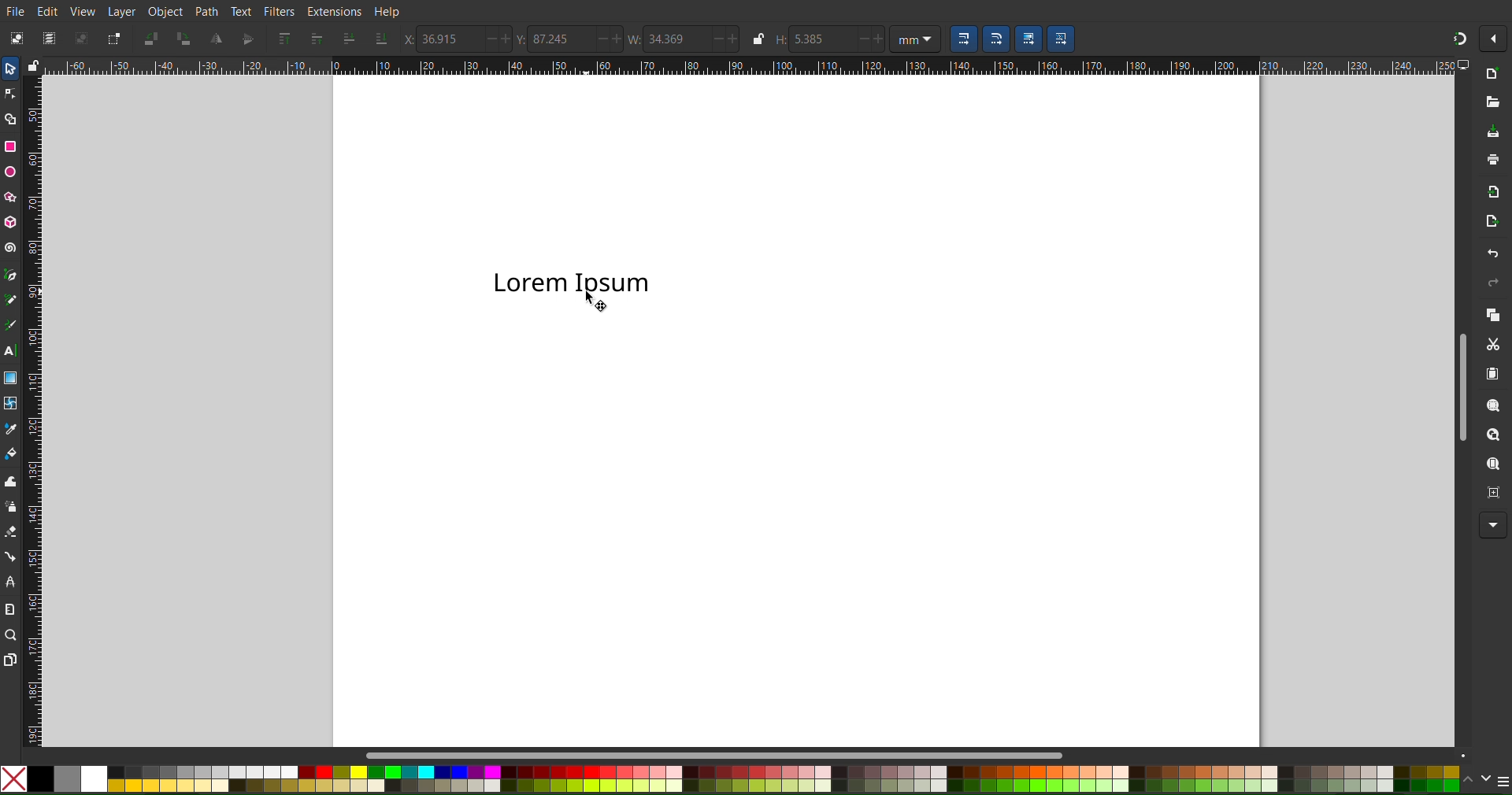 The height and width of the screenshot is (795, 1512). What do you see at coordinates (245, 39) in the screenshot?
I see `Mirror Horizontally` at bounding box center [245, 39].